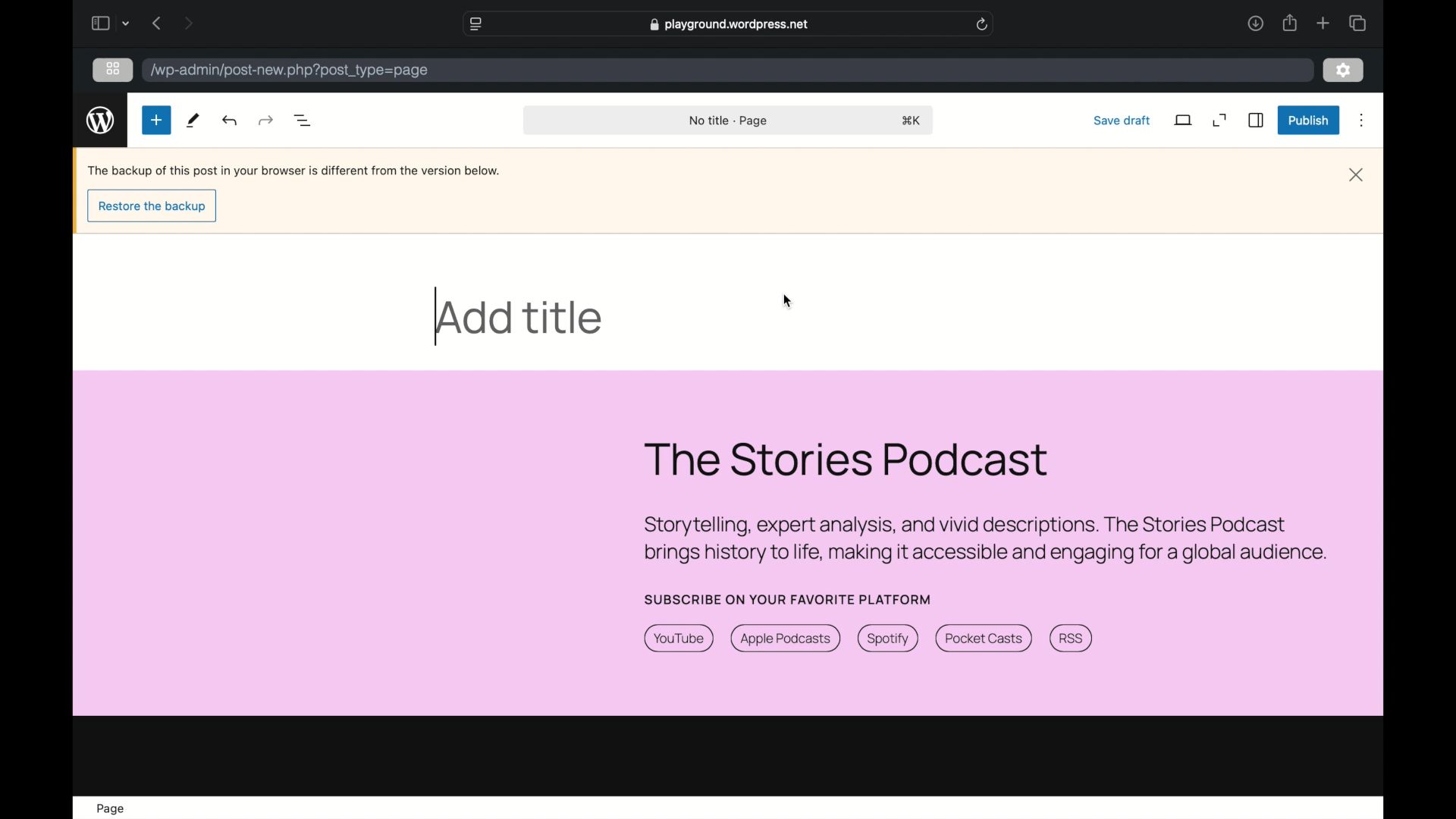 Image resolution: width=1456 pixels, height=819 pixels. I want to click on pocket casts, so click(982, 639).